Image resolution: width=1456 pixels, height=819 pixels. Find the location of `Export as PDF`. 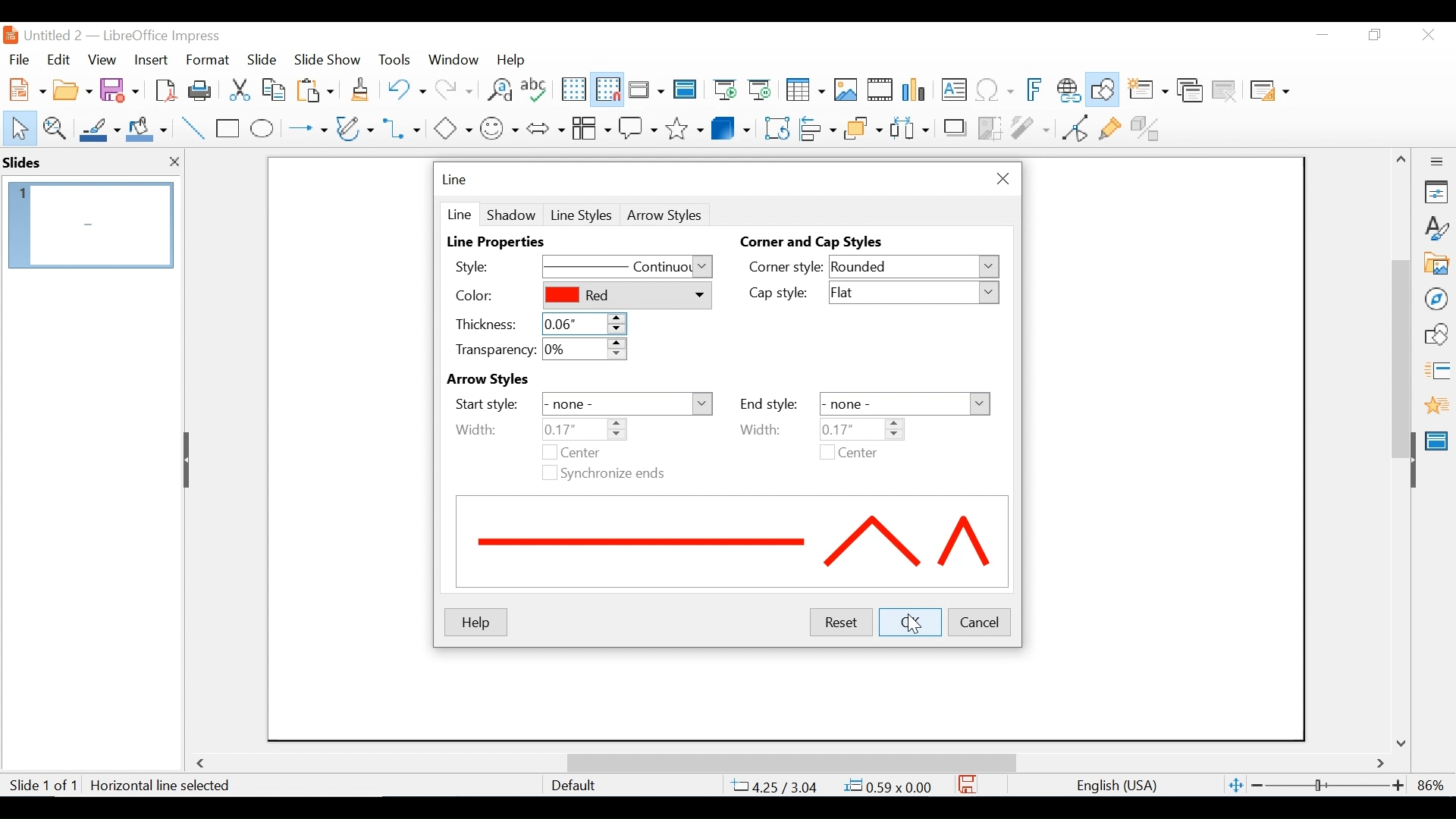

Export as PDF is located at coordinates (165, 89).